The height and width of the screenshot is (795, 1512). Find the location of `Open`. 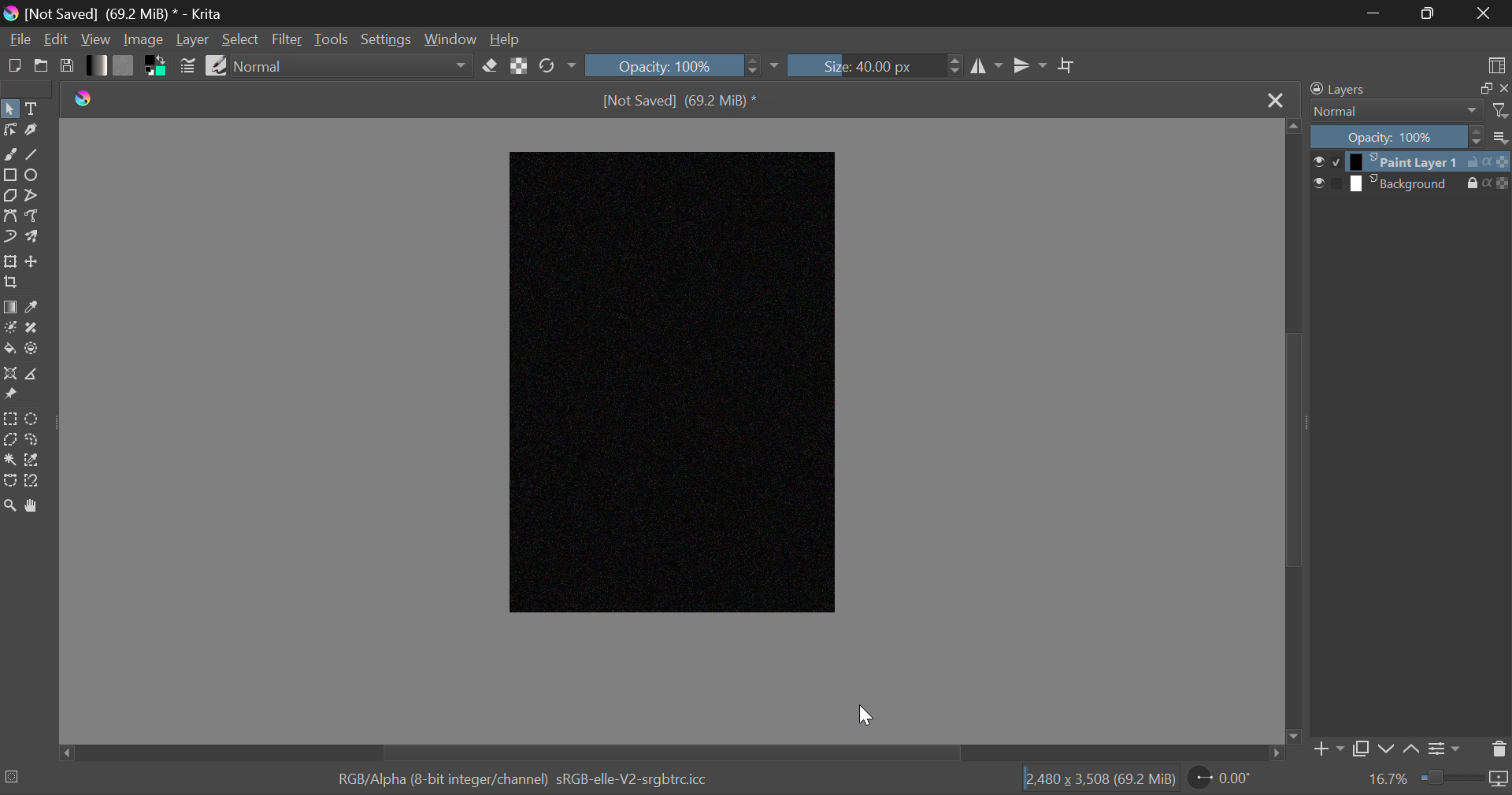

Open is located at coordinates (41, 68).